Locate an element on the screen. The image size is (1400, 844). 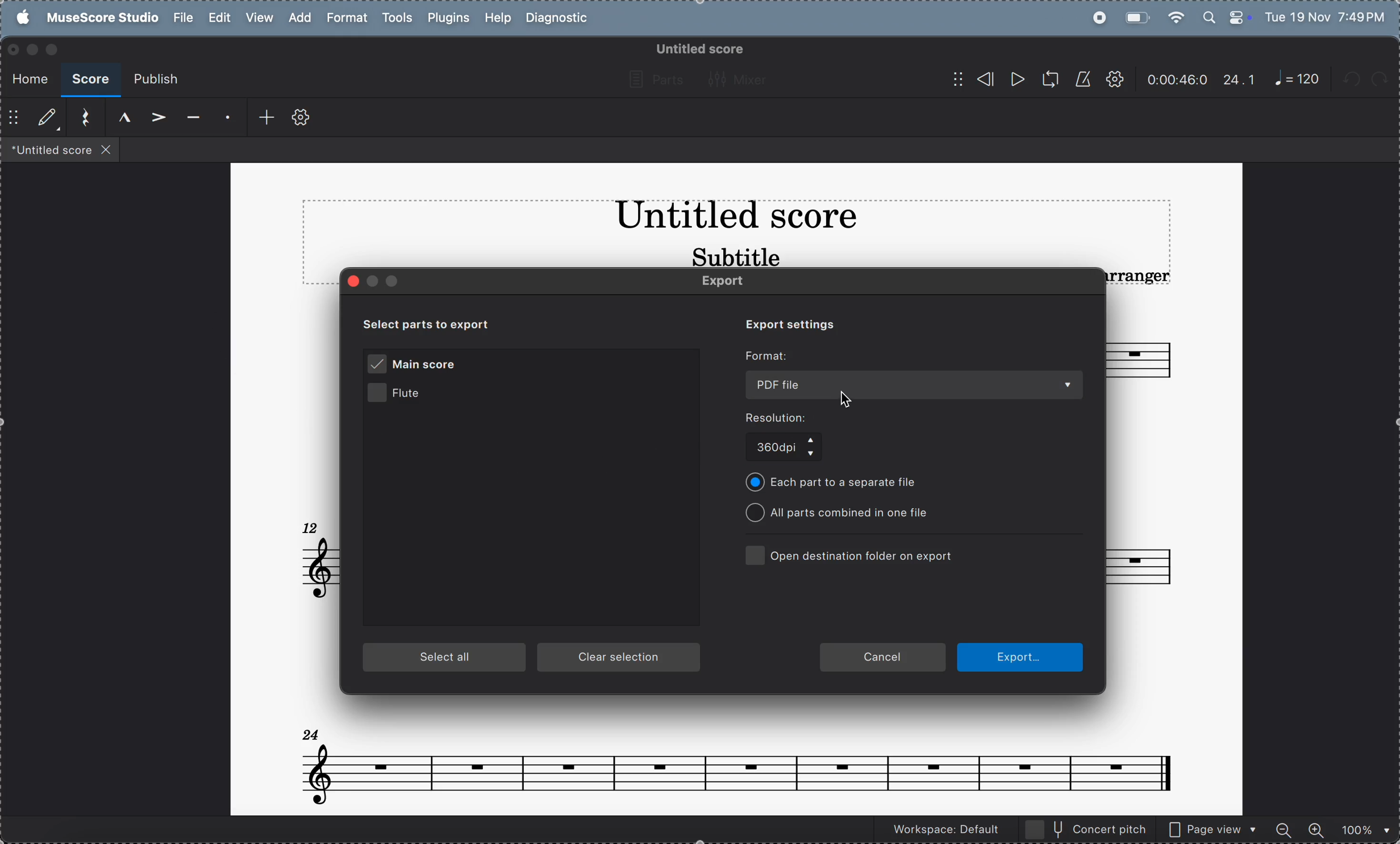
wifi is located at coordinates (1177, 17).